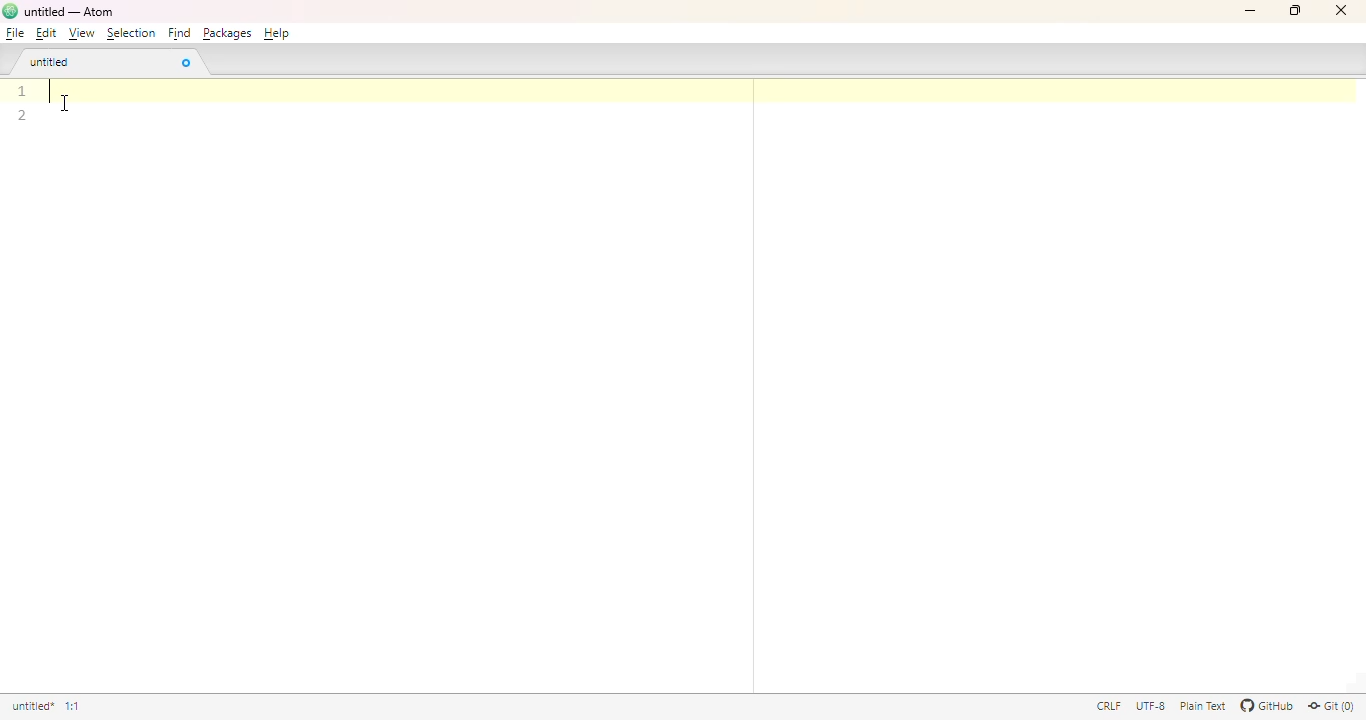 The width and height of the screenshot is (1366, 720). What do you see at coordinates (1251, 11) in the screenshot?
I see `minimize` at bounding box center [1251, 11].